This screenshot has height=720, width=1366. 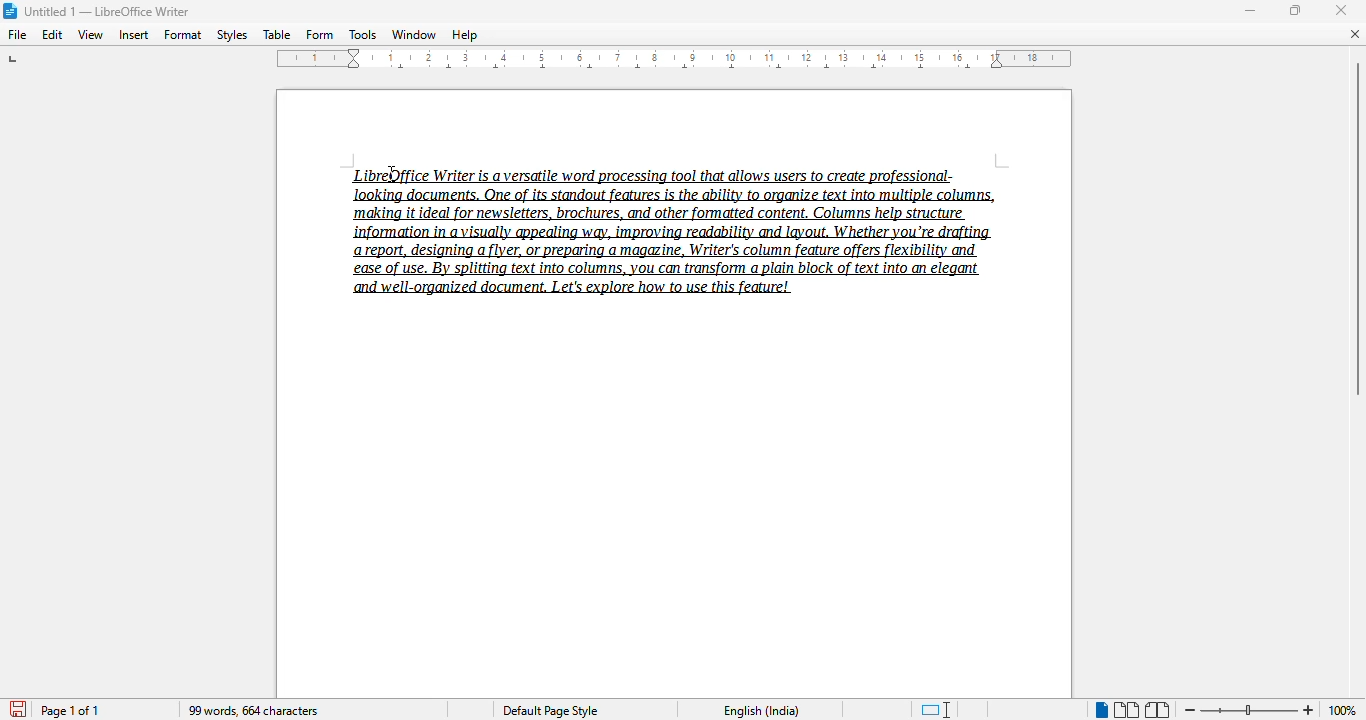 I want to click on tools, so click(x=363, y=35).